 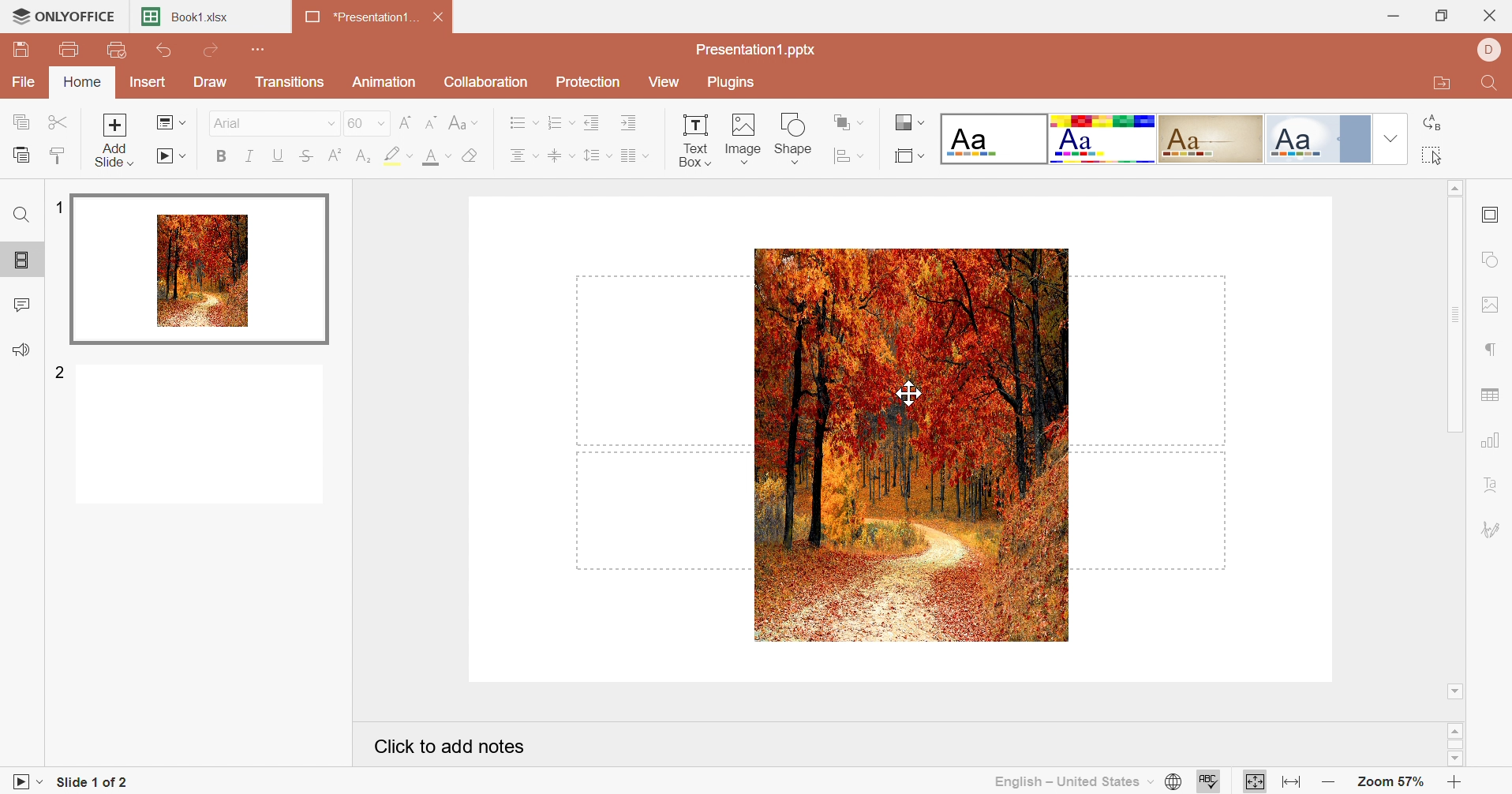 I want to click on Paragraph settings, so click(x=1488, y=347).